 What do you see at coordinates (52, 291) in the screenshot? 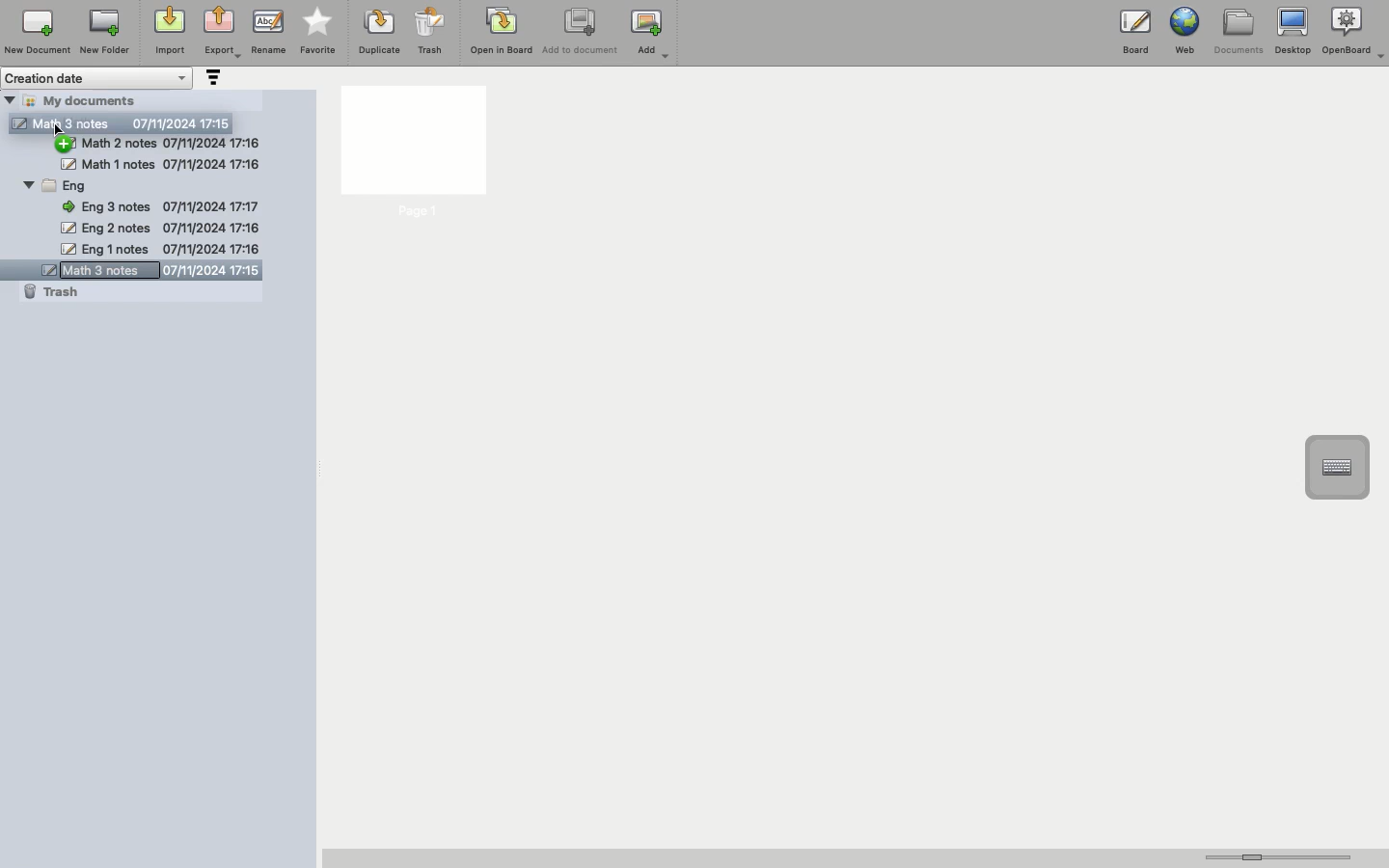
I see `Trash` at bounding box center [52, 291].